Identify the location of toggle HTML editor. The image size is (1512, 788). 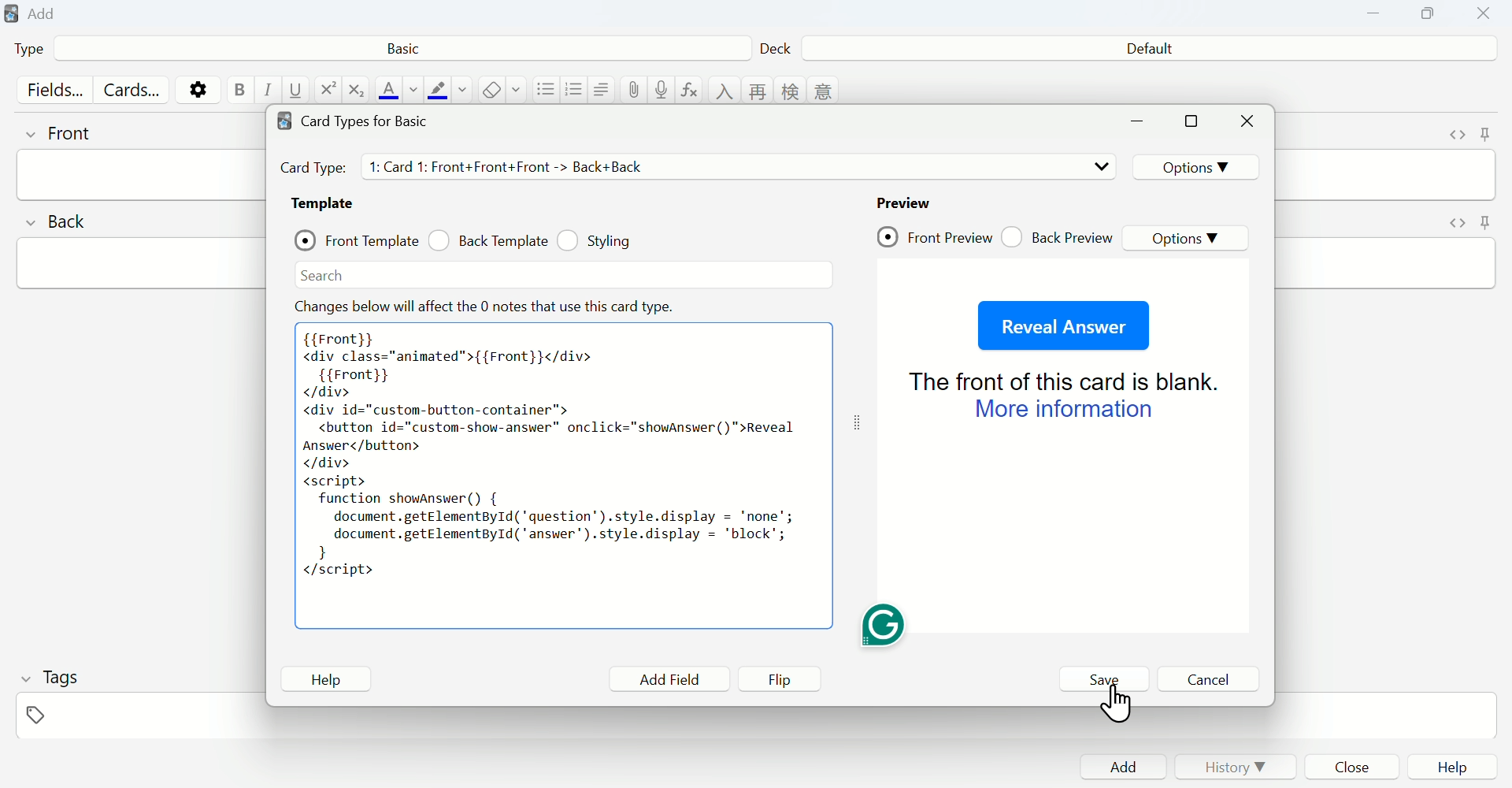
(1458, 222).